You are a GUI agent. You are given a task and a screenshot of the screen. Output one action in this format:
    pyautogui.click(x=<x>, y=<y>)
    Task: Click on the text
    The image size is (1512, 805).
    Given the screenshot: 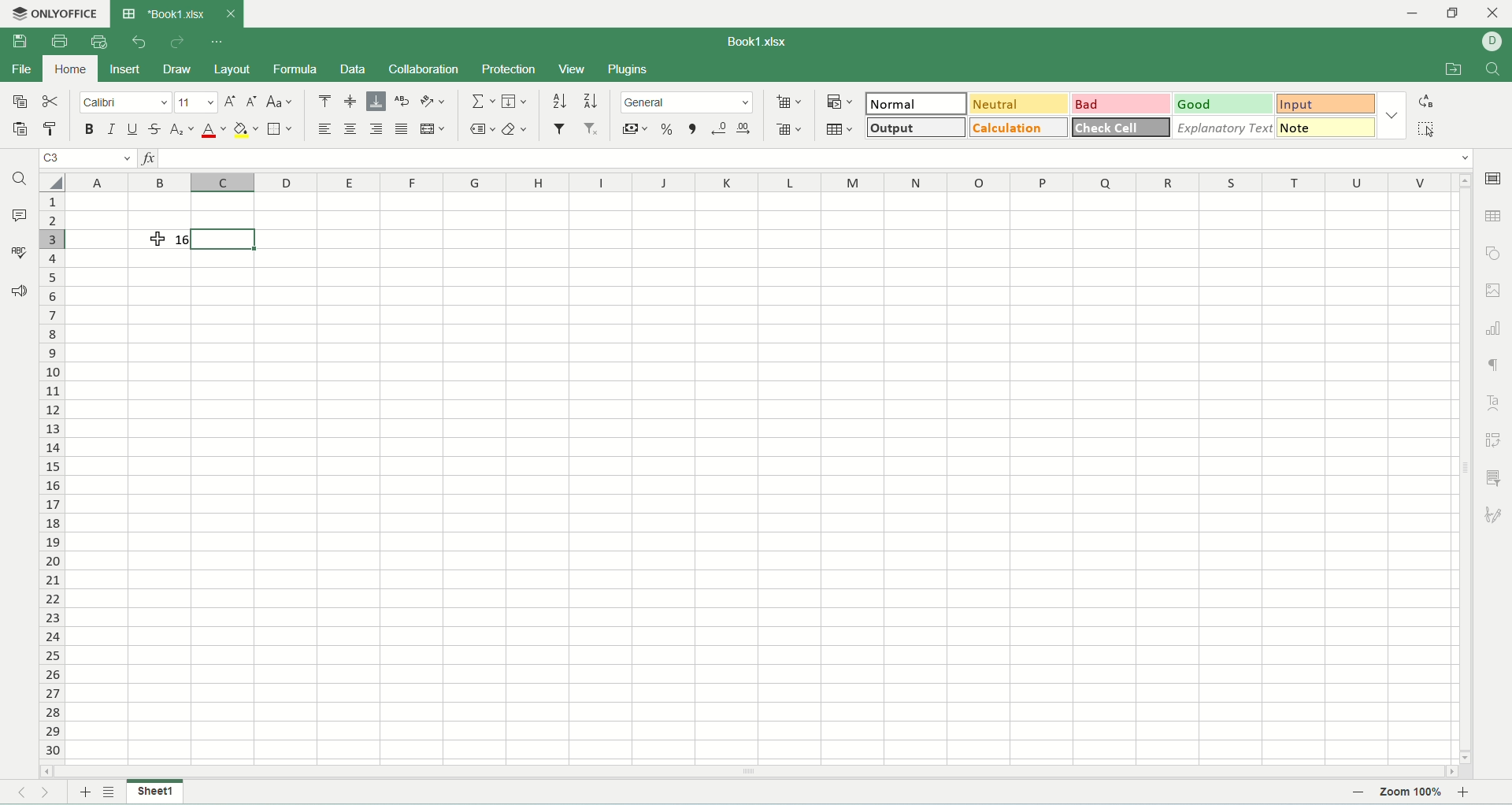 What is the action you would take?
    pyautogui.click(x=160, y=239)
    